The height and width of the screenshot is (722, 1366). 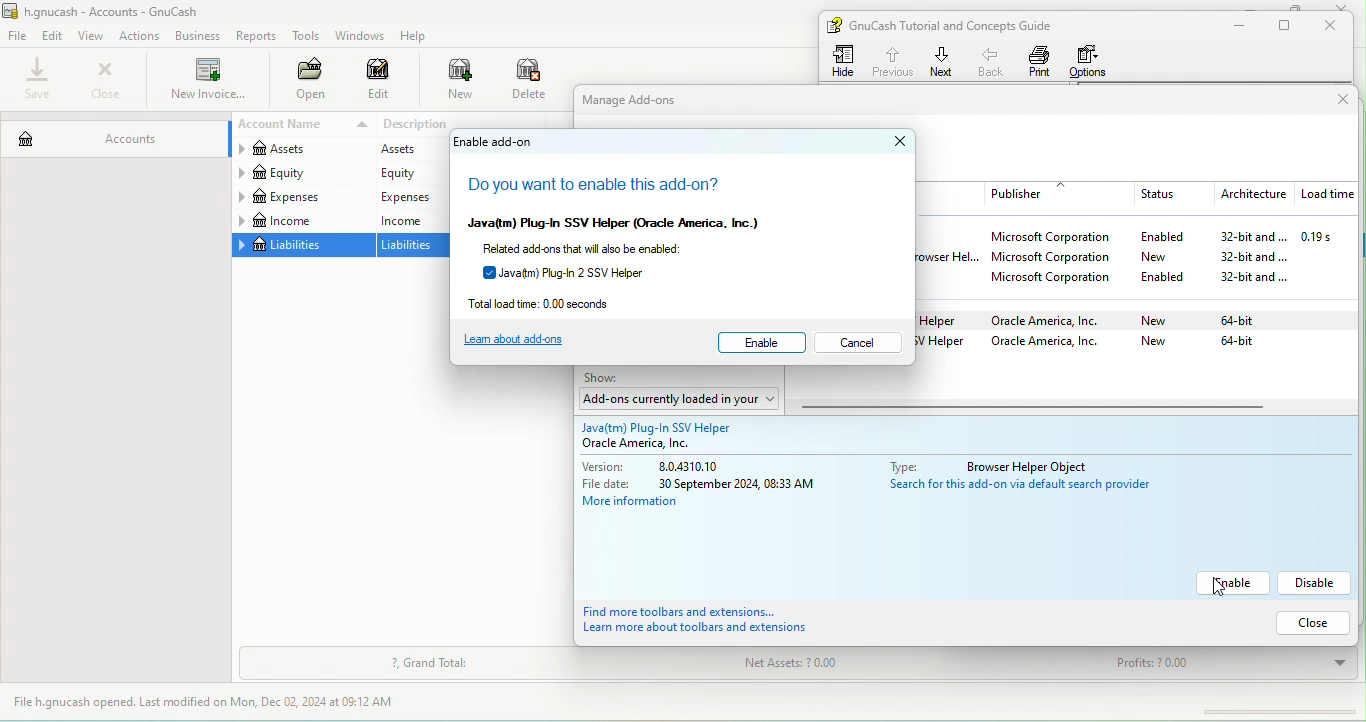 What do you see at coordinates (1234, 583) in the screenshot?
I see `enable` at bounding box center [1234, 583].